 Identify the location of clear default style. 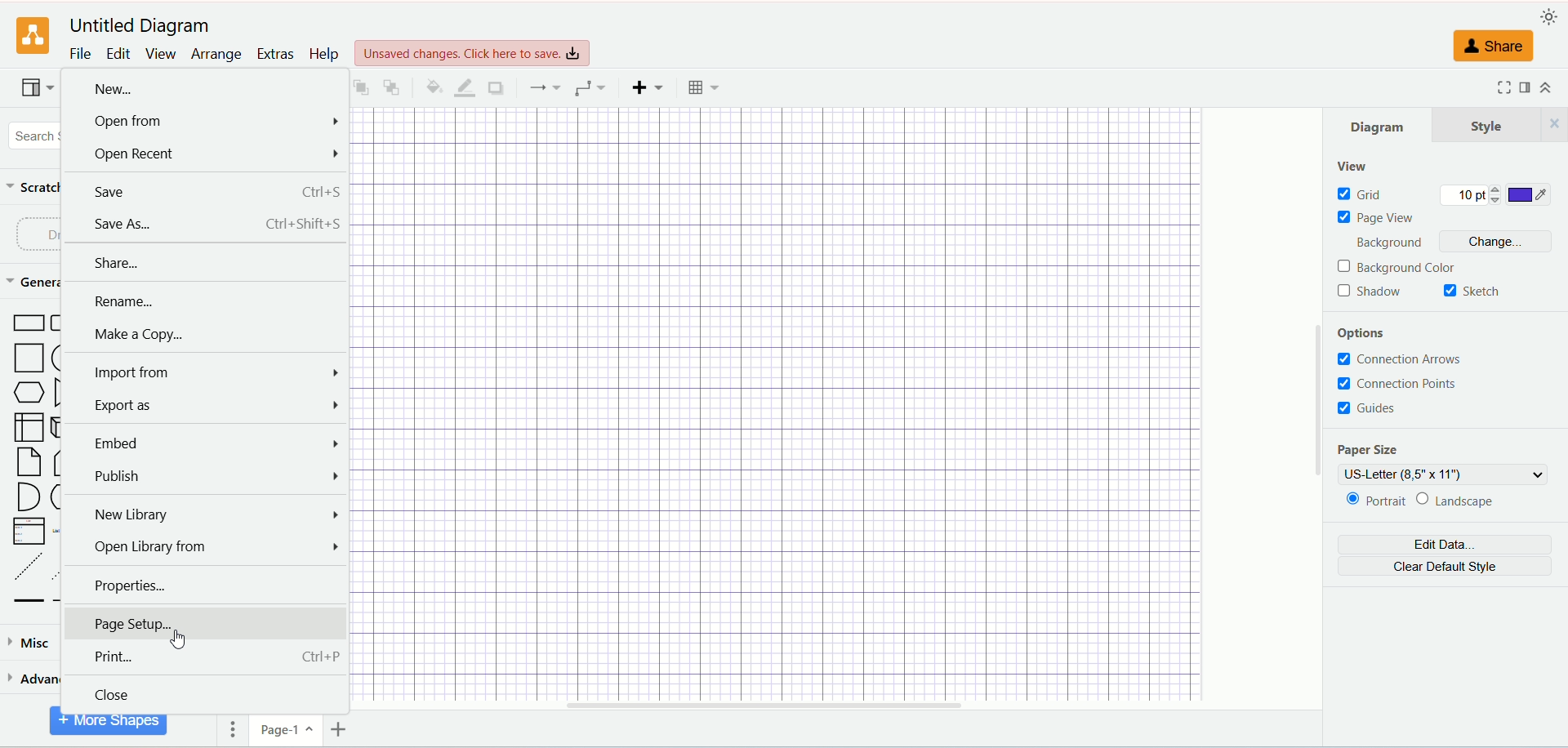
(1444, 568).